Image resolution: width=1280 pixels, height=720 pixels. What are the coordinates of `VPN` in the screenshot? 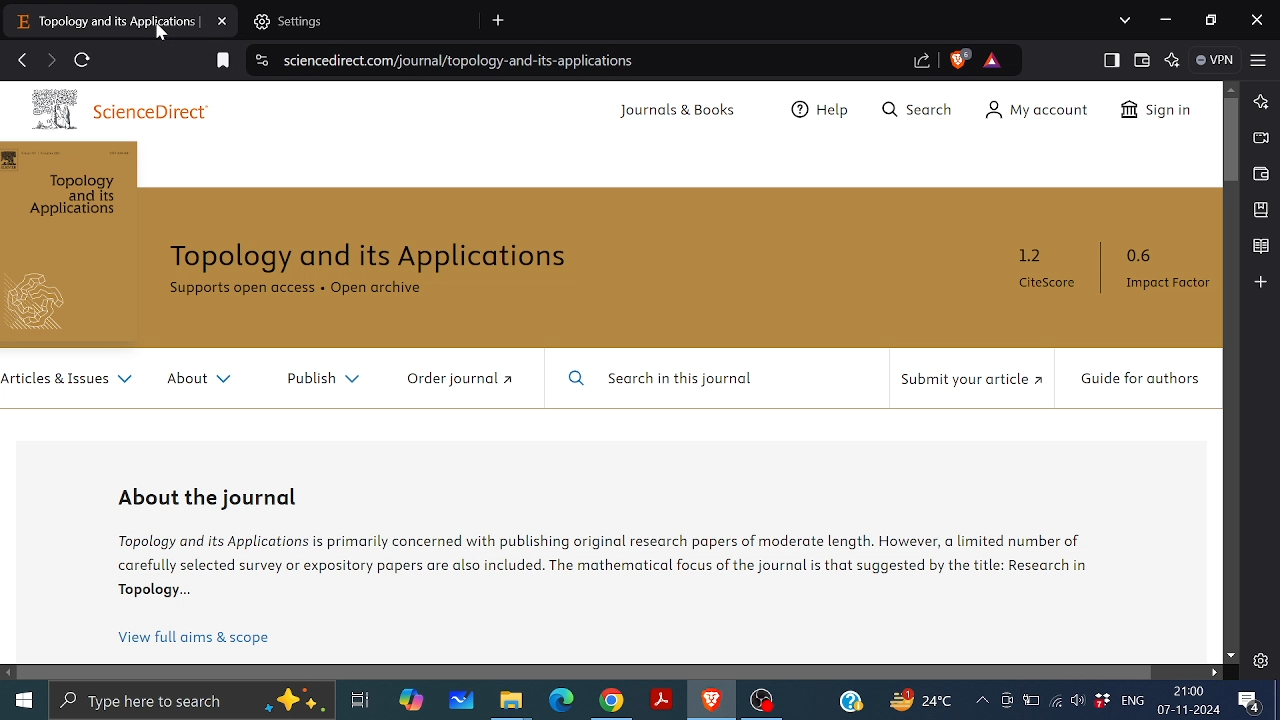 It's located at (1214, 60).